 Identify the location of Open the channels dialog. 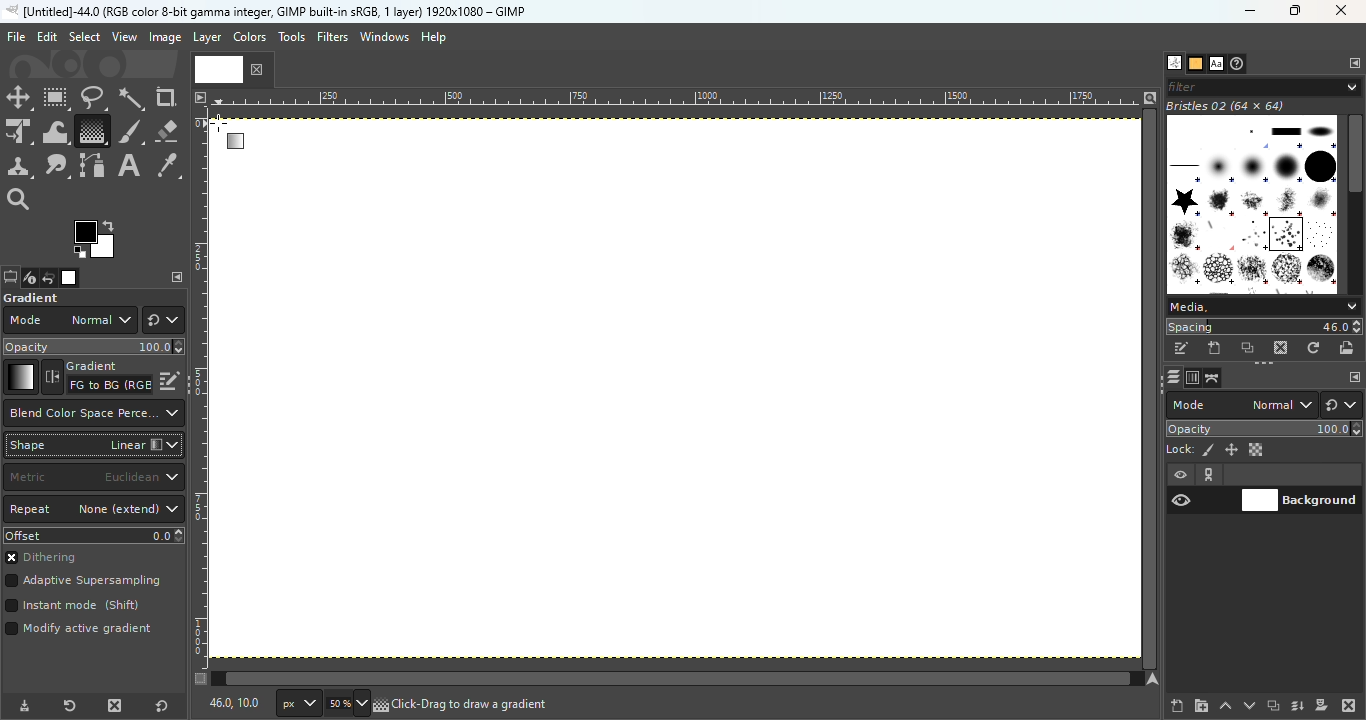
(1191, 376).